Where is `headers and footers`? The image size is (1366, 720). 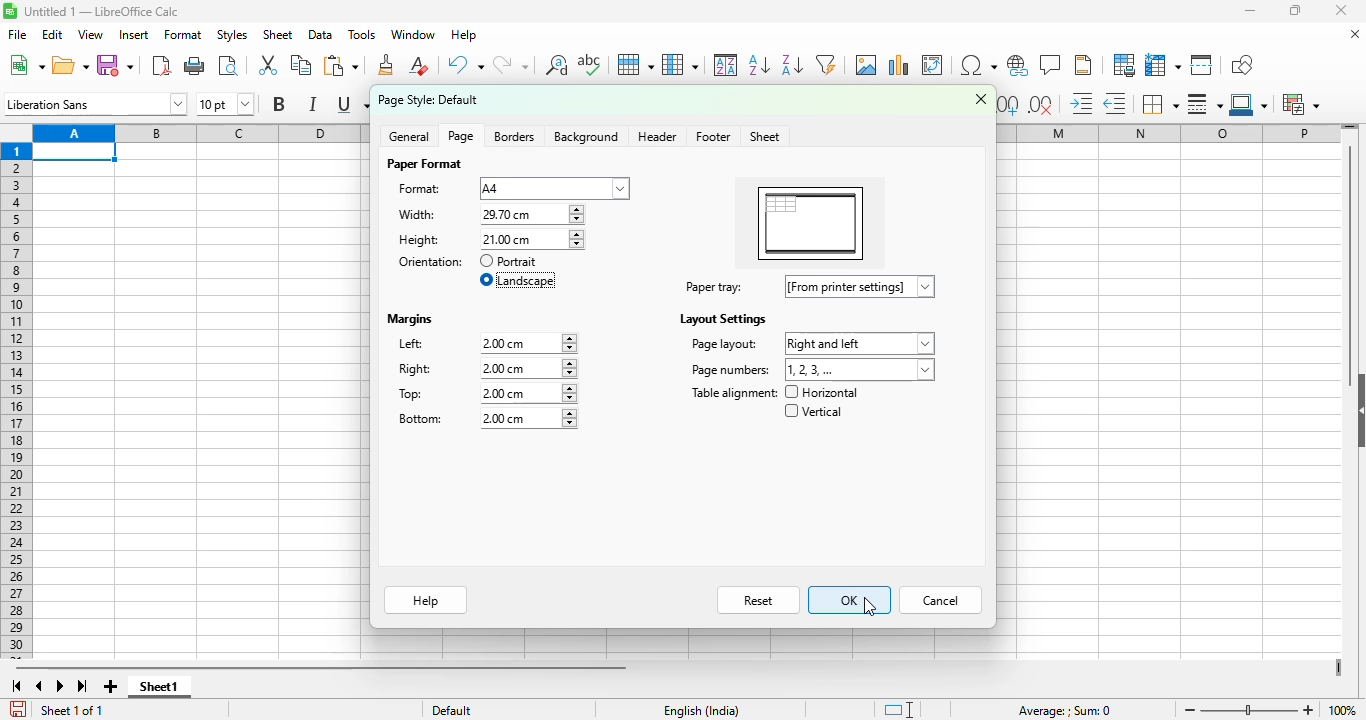
headers and footers is located at coordinates (1083, 65).